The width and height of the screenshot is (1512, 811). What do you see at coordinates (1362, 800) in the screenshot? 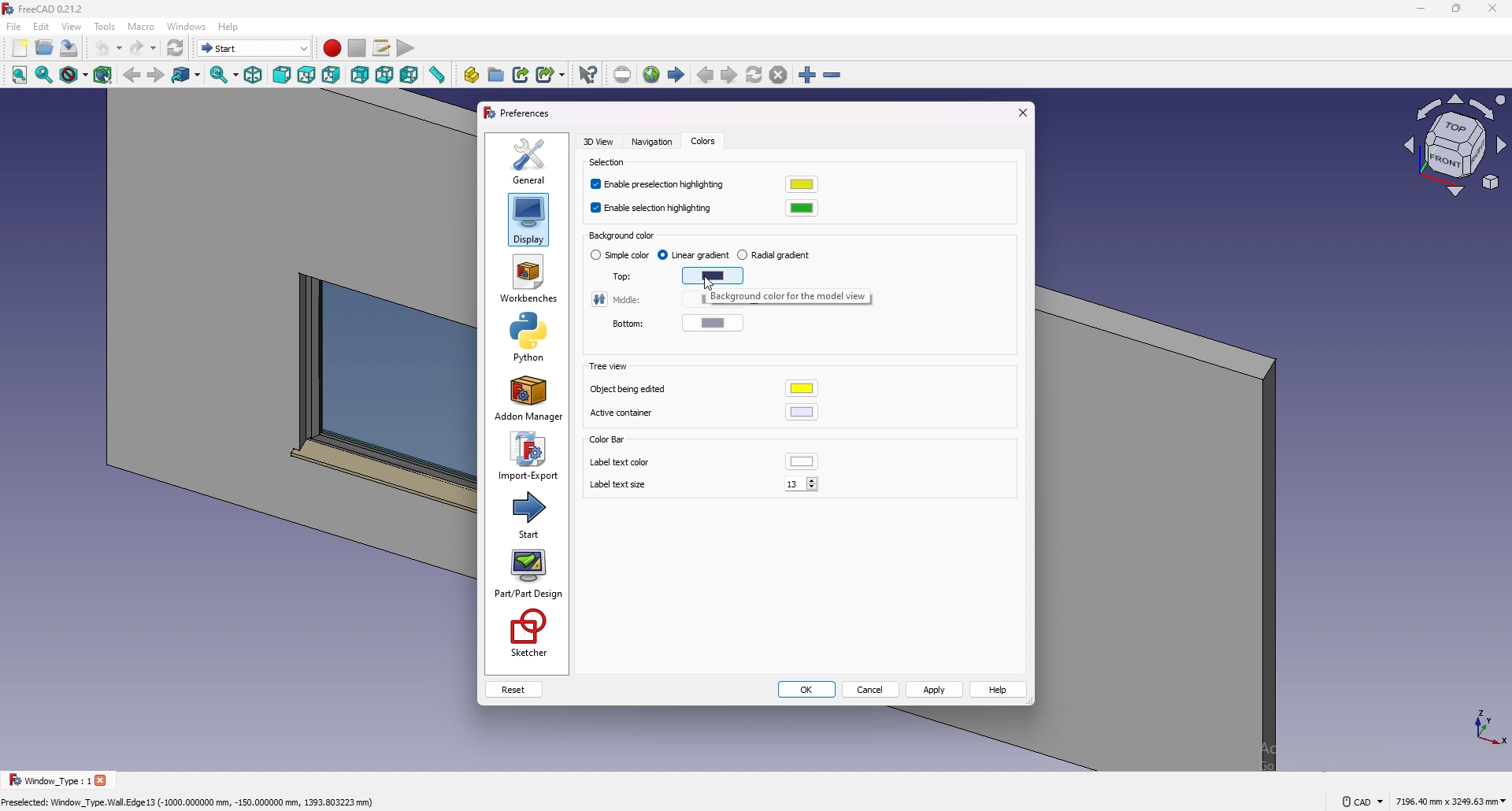
I see `cad` at bounding box center [1362, 800].